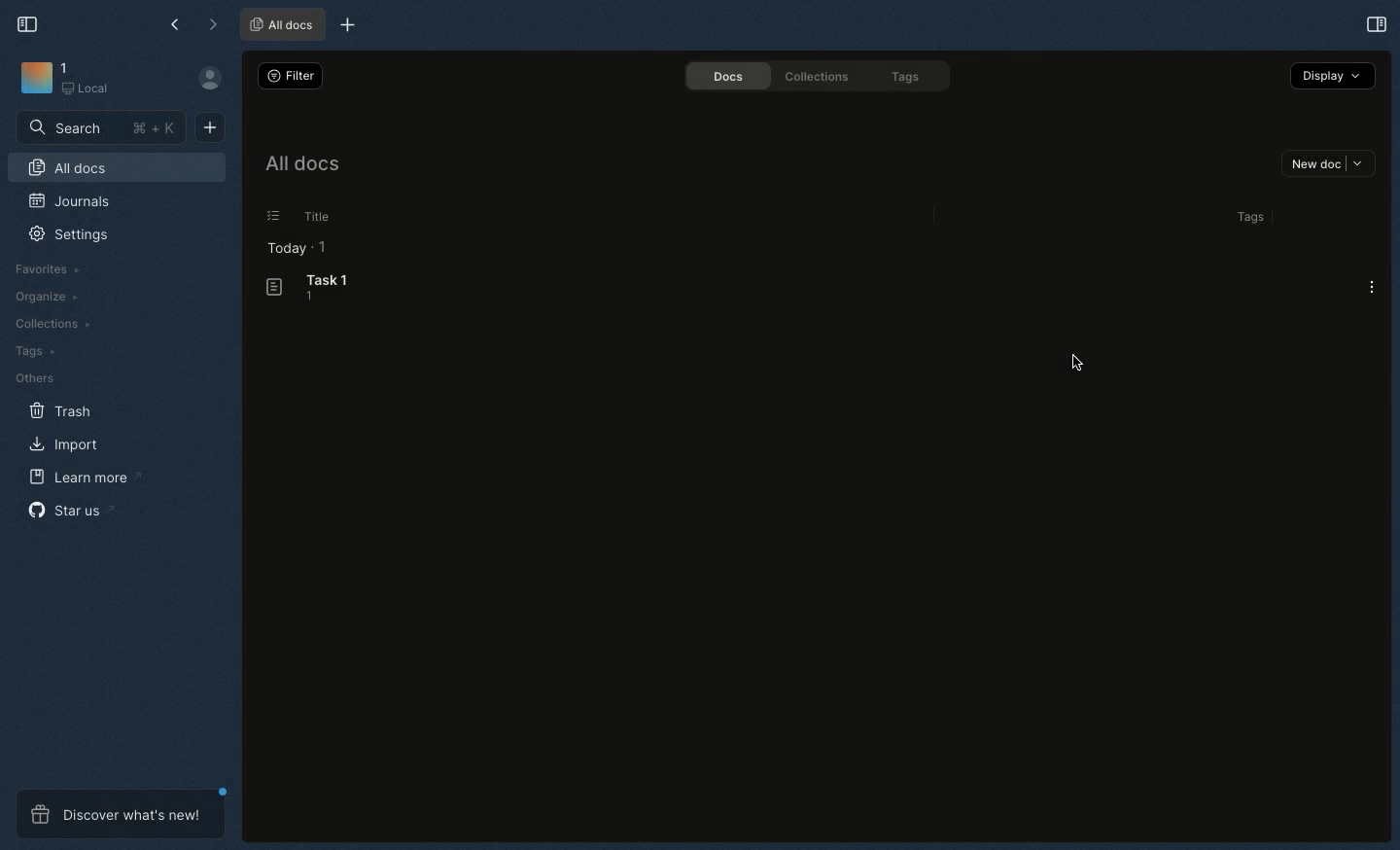 The image size is (1400, 850). Describe the element at coordinates (1372, 287) in the screenshot. I see `Options` at that location.